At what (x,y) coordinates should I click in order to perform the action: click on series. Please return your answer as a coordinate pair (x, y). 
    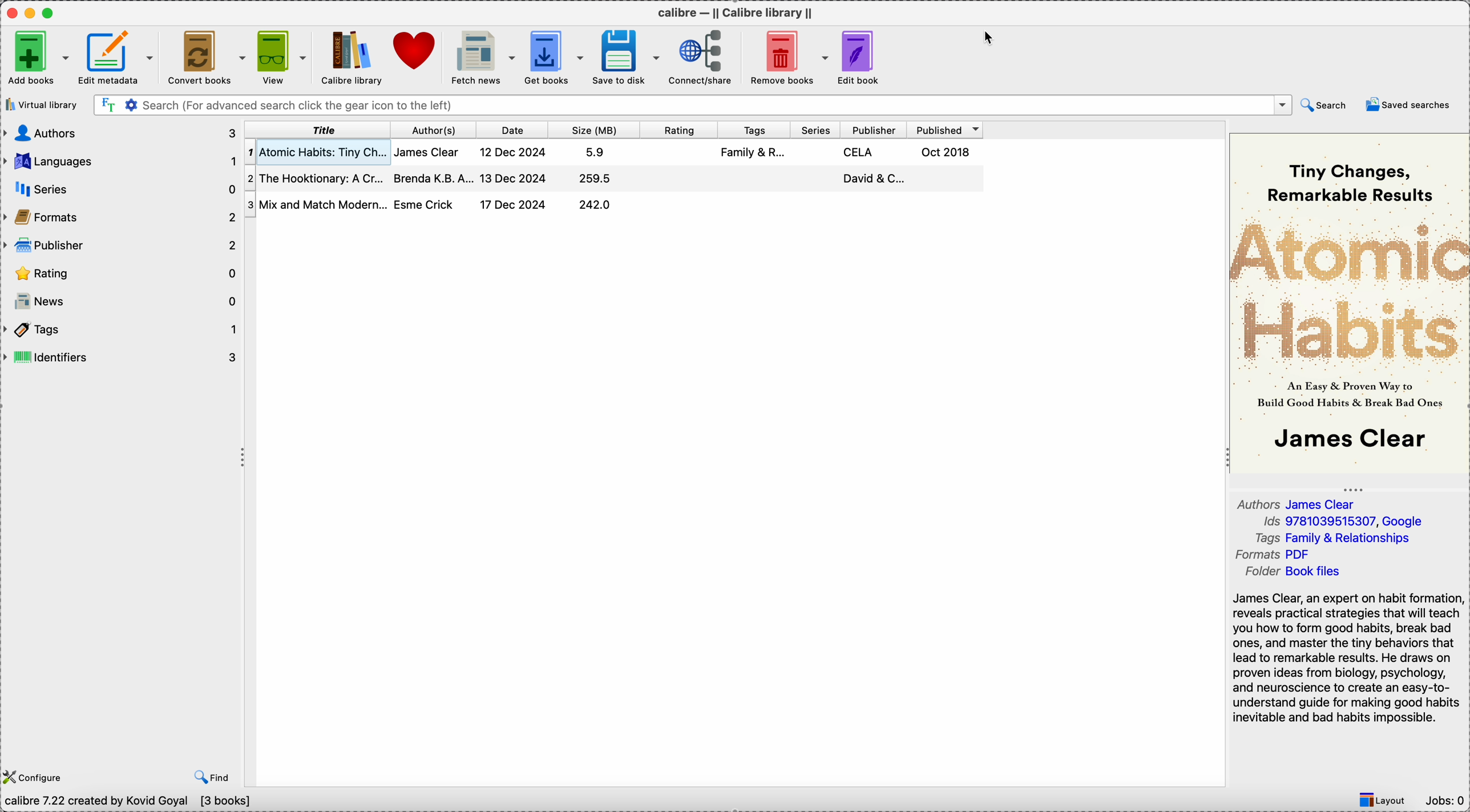
    Looking at the image, I should click on (122, 185).